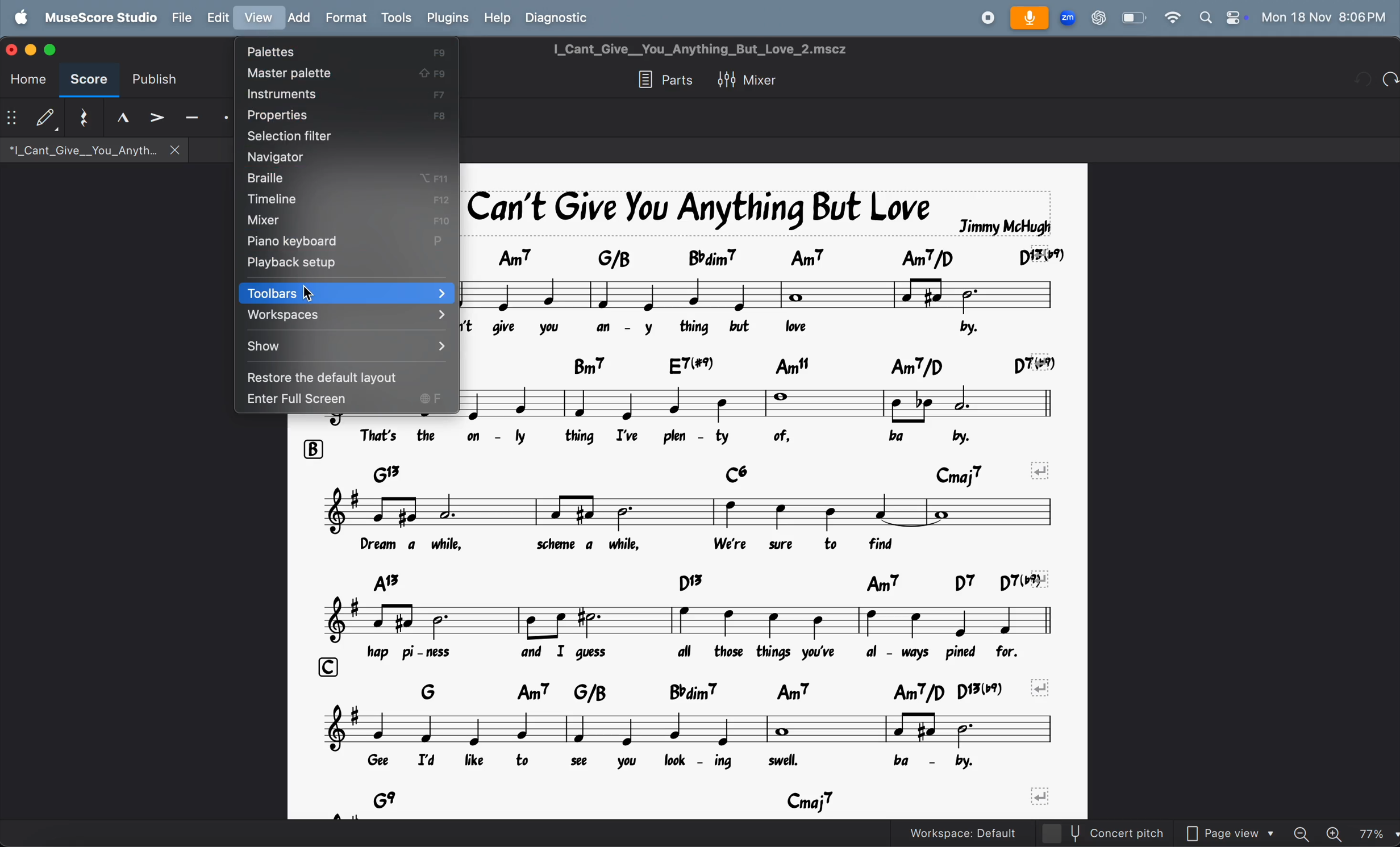 The height and width of the screenshot is (847, 1400). Describe the element at coordinates (1171, 19) in the screenshot. I see `wifi` at that location.